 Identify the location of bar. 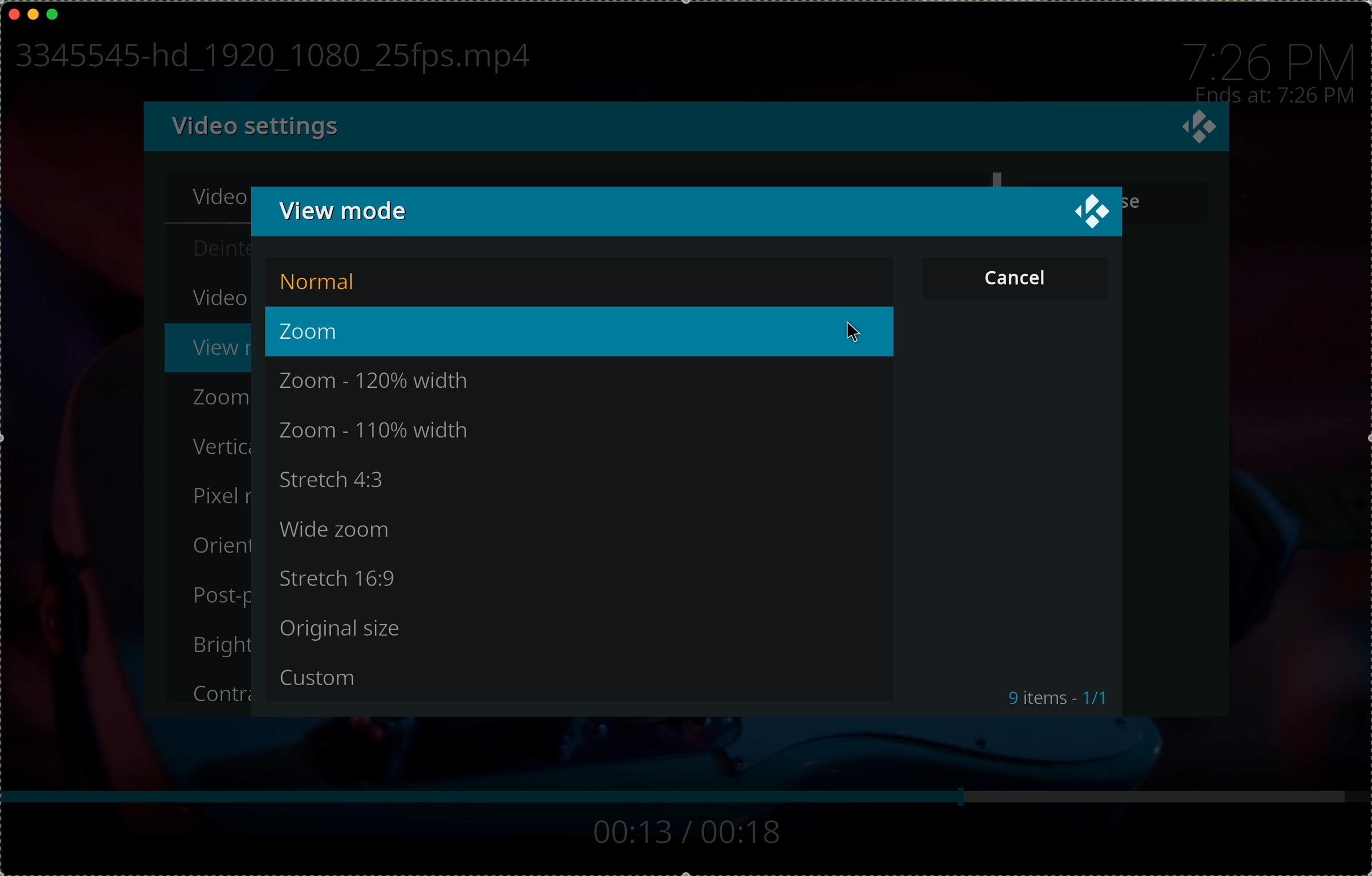
(682, 796).